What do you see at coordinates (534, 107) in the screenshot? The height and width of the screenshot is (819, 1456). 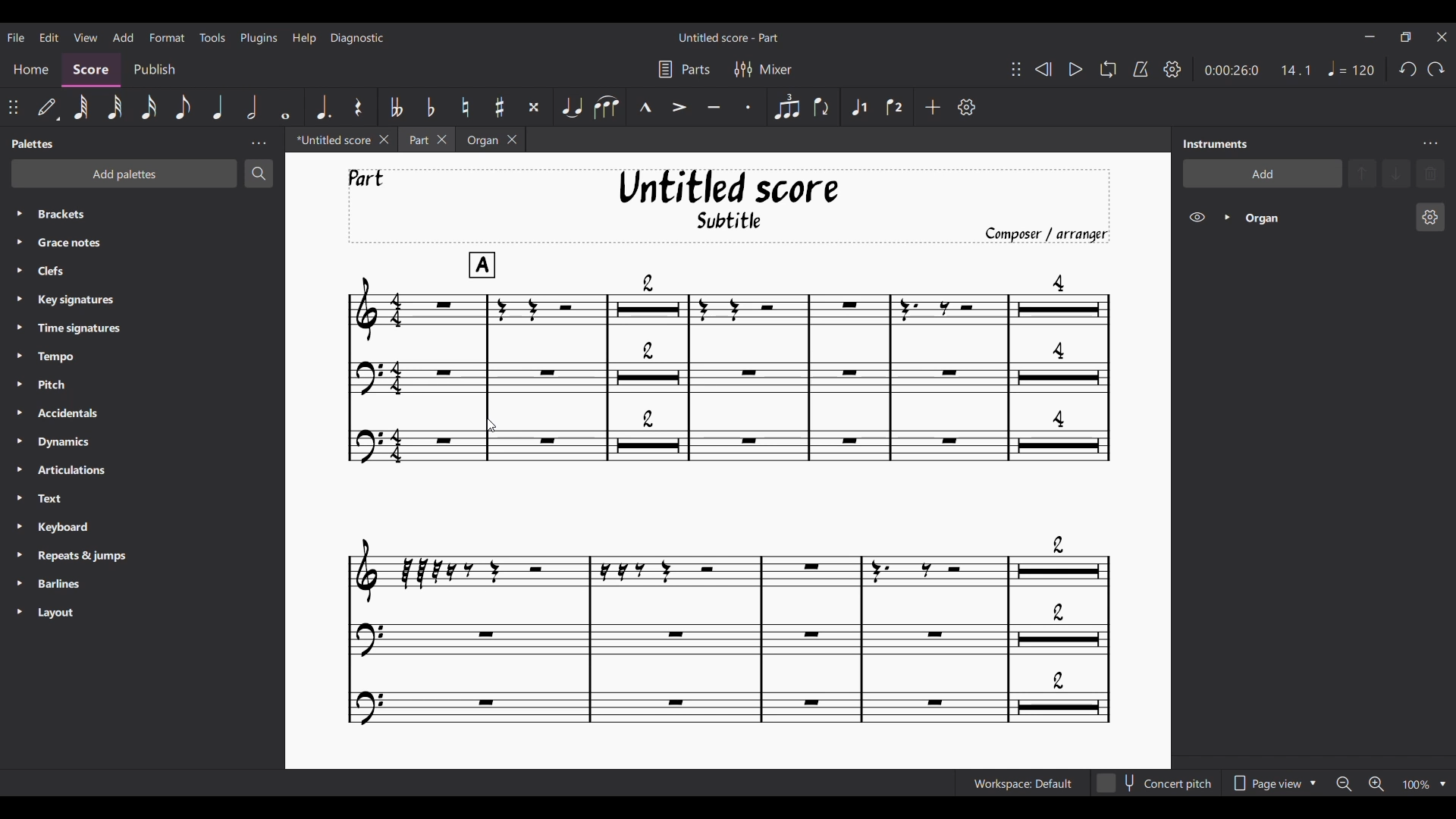 I see `Toggle double sharp` at bounding box center [534, 107].